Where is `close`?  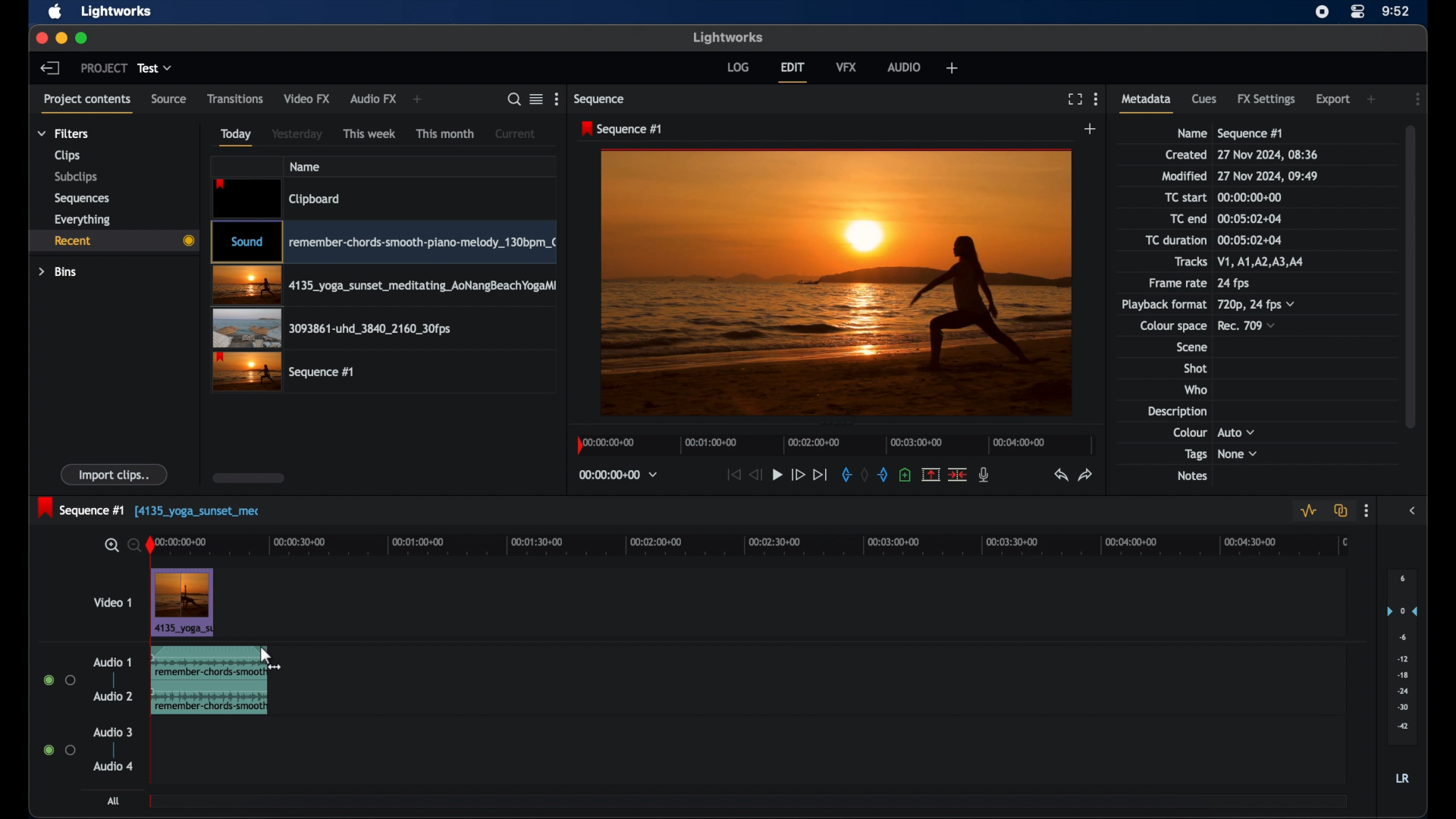
close is located at coordinates (40, 38).